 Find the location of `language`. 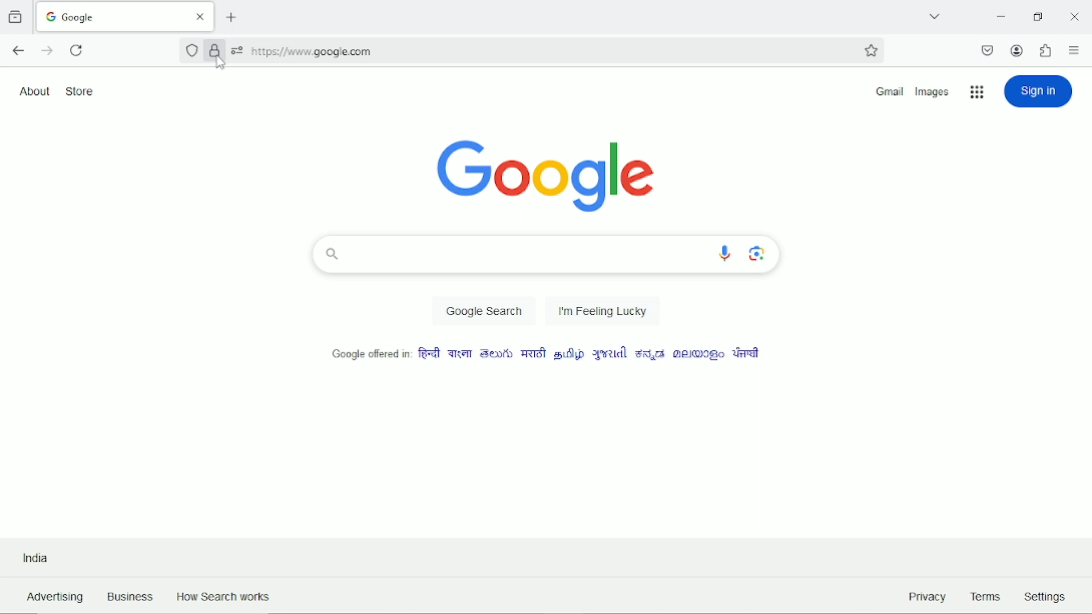

language is located at coordinates (743, 355).